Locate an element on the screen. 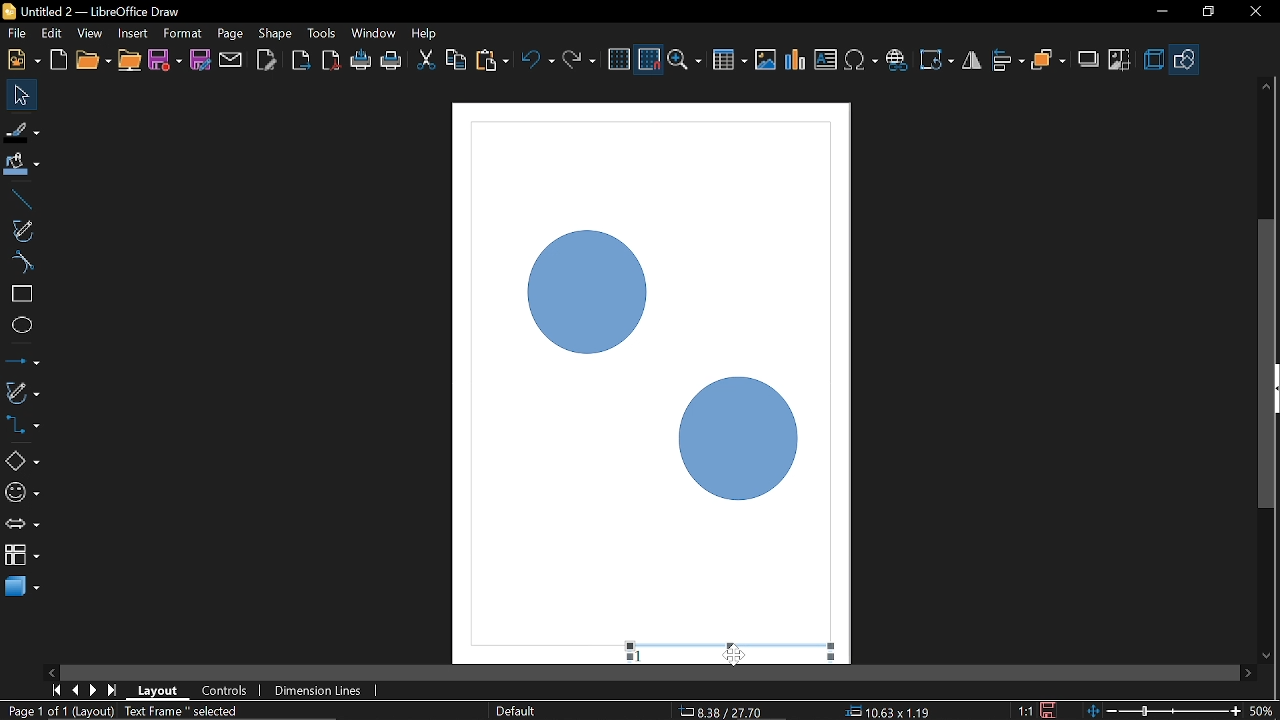 The image size is (1280, 720). Shadow is located at coordinates (1089, 62).